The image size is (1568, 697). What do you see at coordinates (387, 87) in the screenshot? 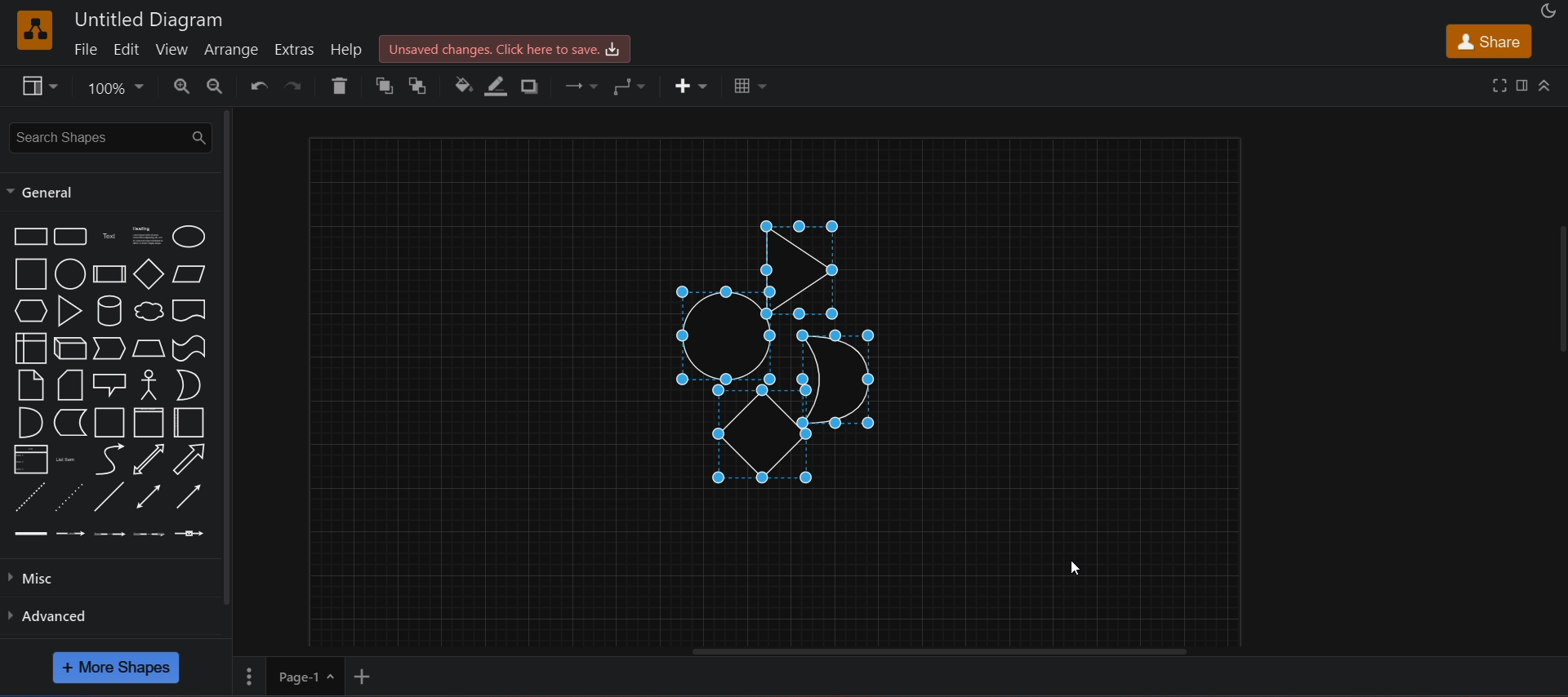
I see `to front` at bounding box center [387, 87].